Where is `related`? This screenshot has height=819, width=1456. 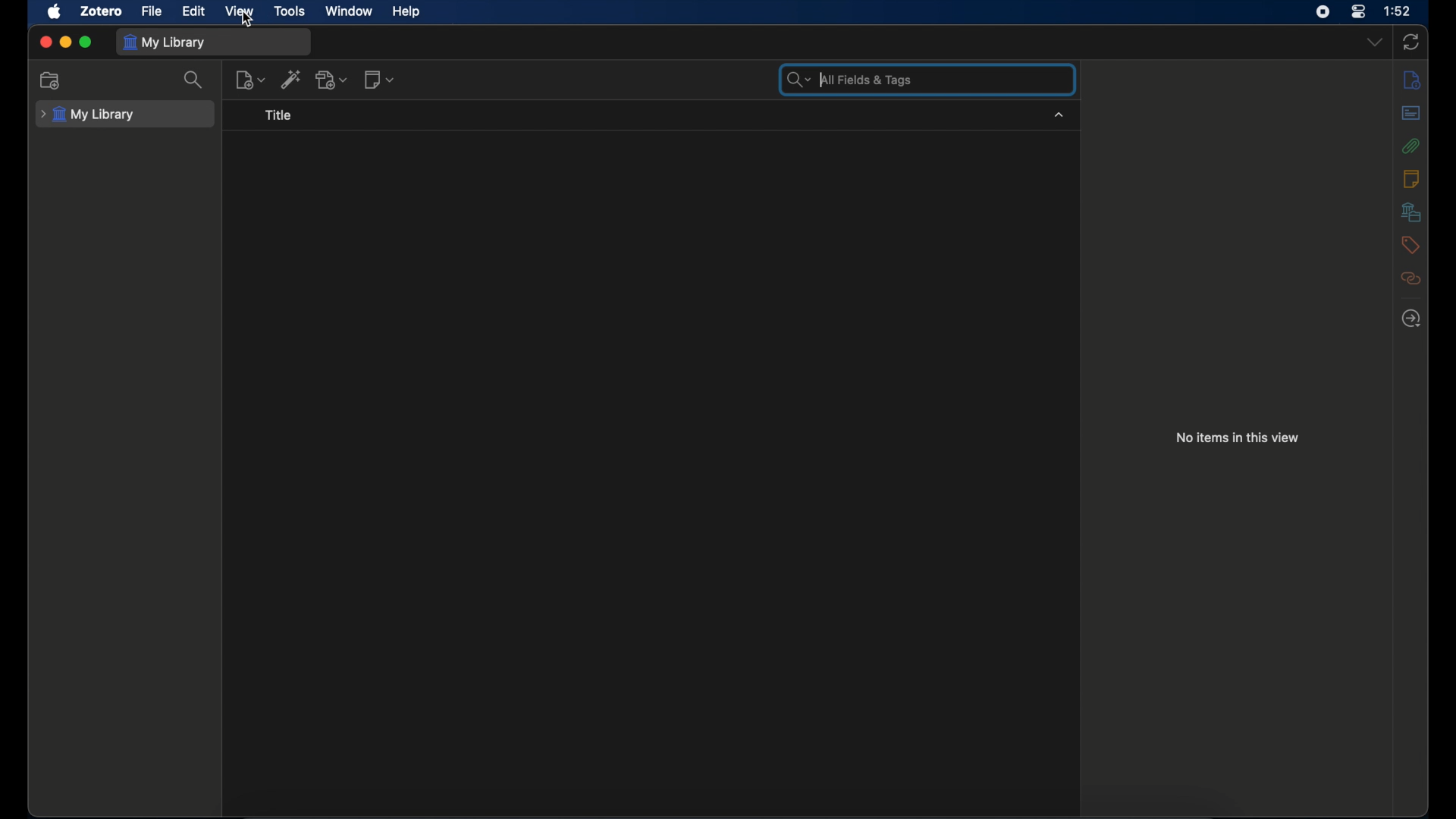 related is located at coordinates (1411, 278).